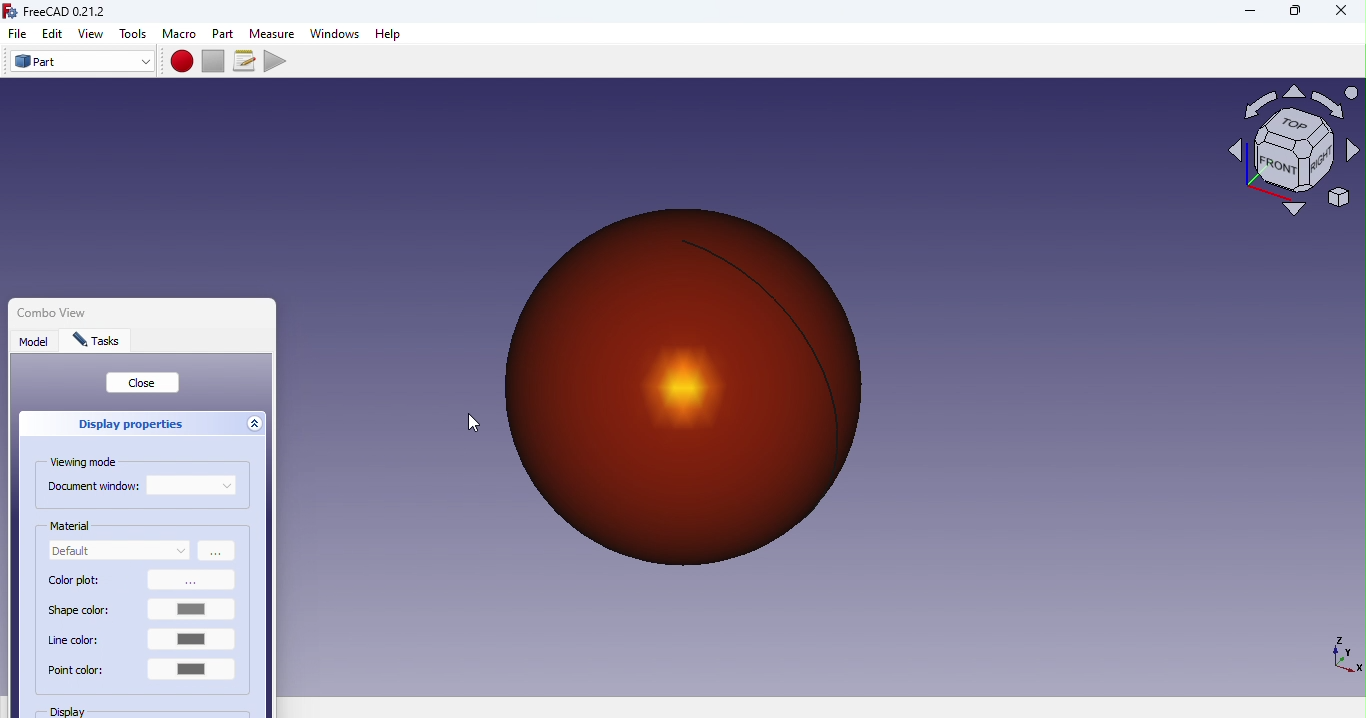 Image resolution: width=1366 pixels, height=718 pixels. I want to click on Show more, so click(218, 551).